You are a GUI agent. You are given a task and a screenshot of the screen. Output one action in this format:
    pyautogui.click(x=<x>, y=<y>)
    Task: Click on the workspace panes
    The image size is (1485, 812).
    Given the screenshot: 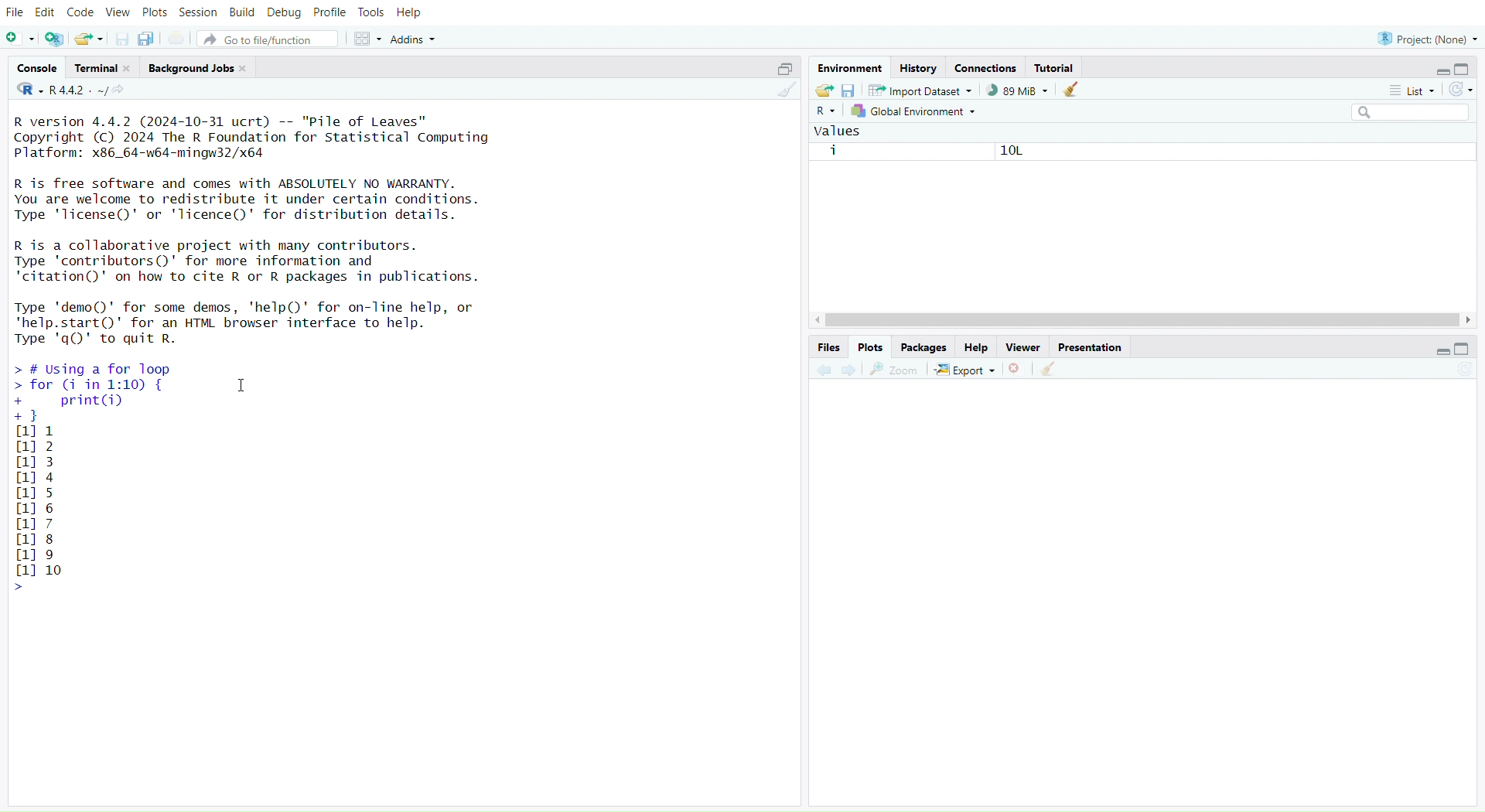 What is the action you would take?
    pyautogui.click(x=367, y=40)
    